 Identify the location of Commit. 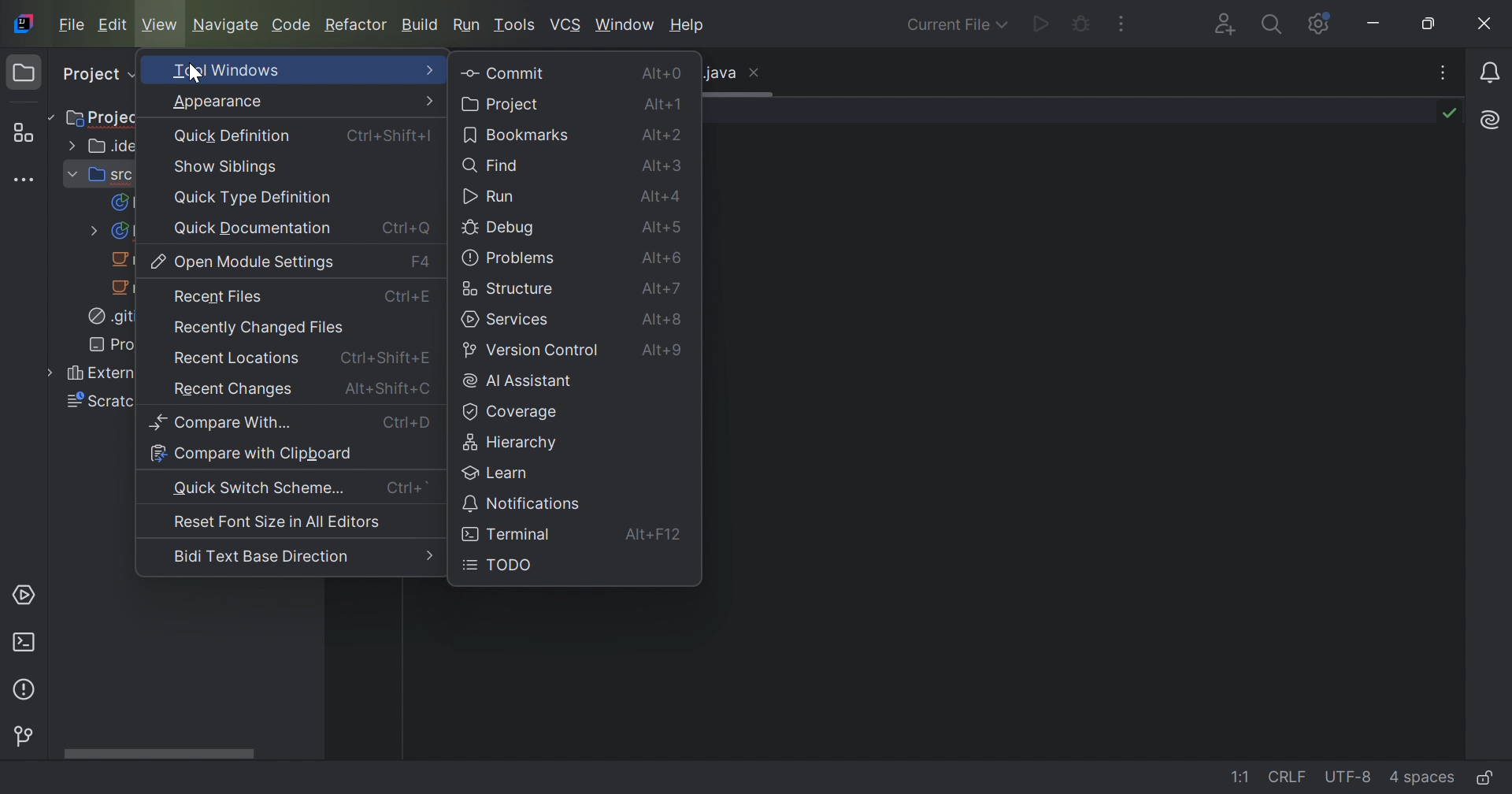
(502, 72).